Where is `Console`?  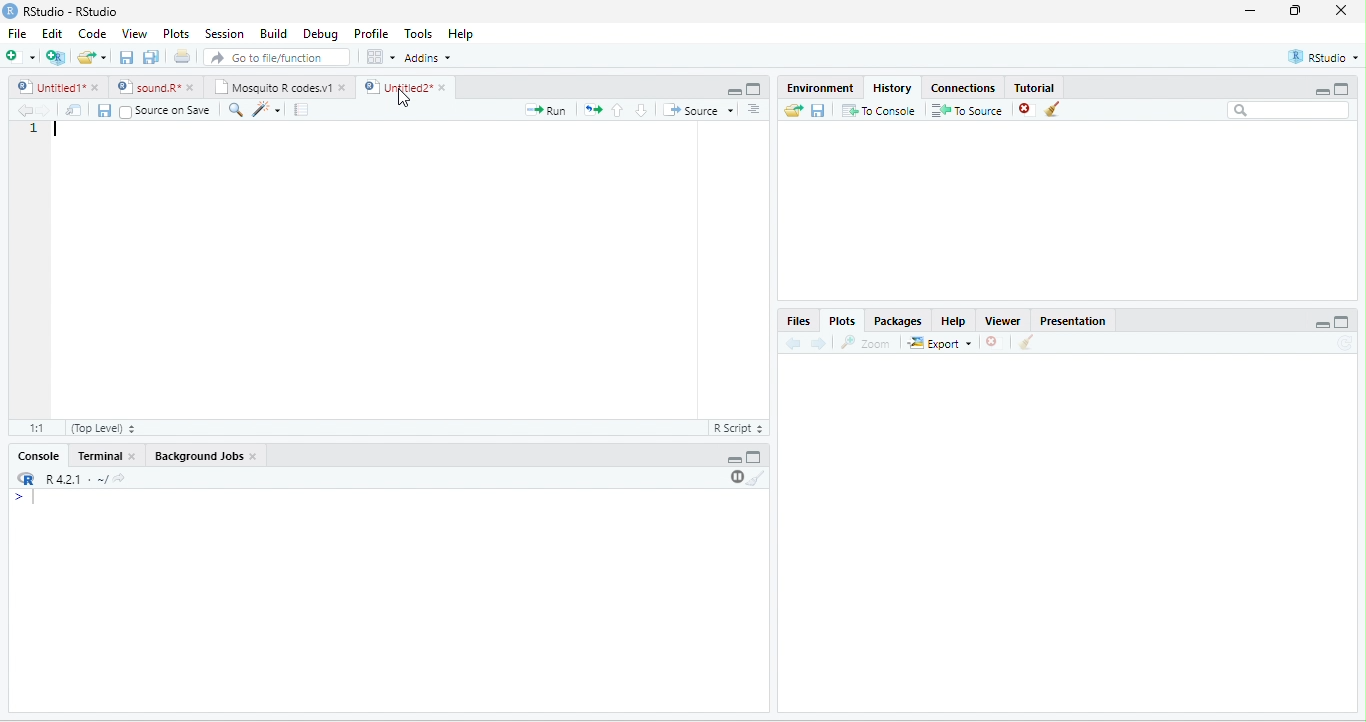
Console is located at coordinates (38, 455).